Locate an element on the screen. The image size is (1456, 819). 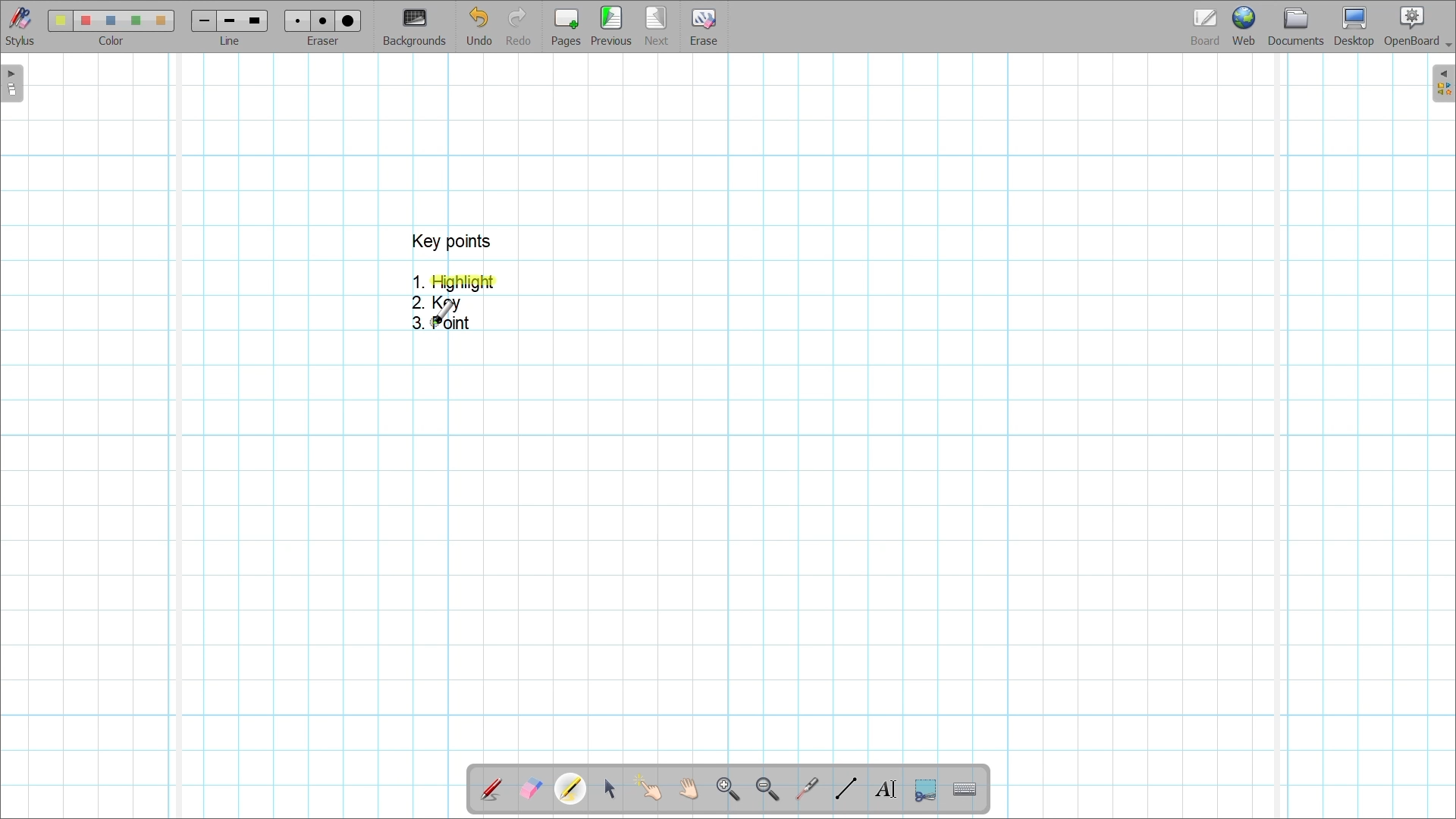
Cursor over point 3 is located at coordinates (442, 312).